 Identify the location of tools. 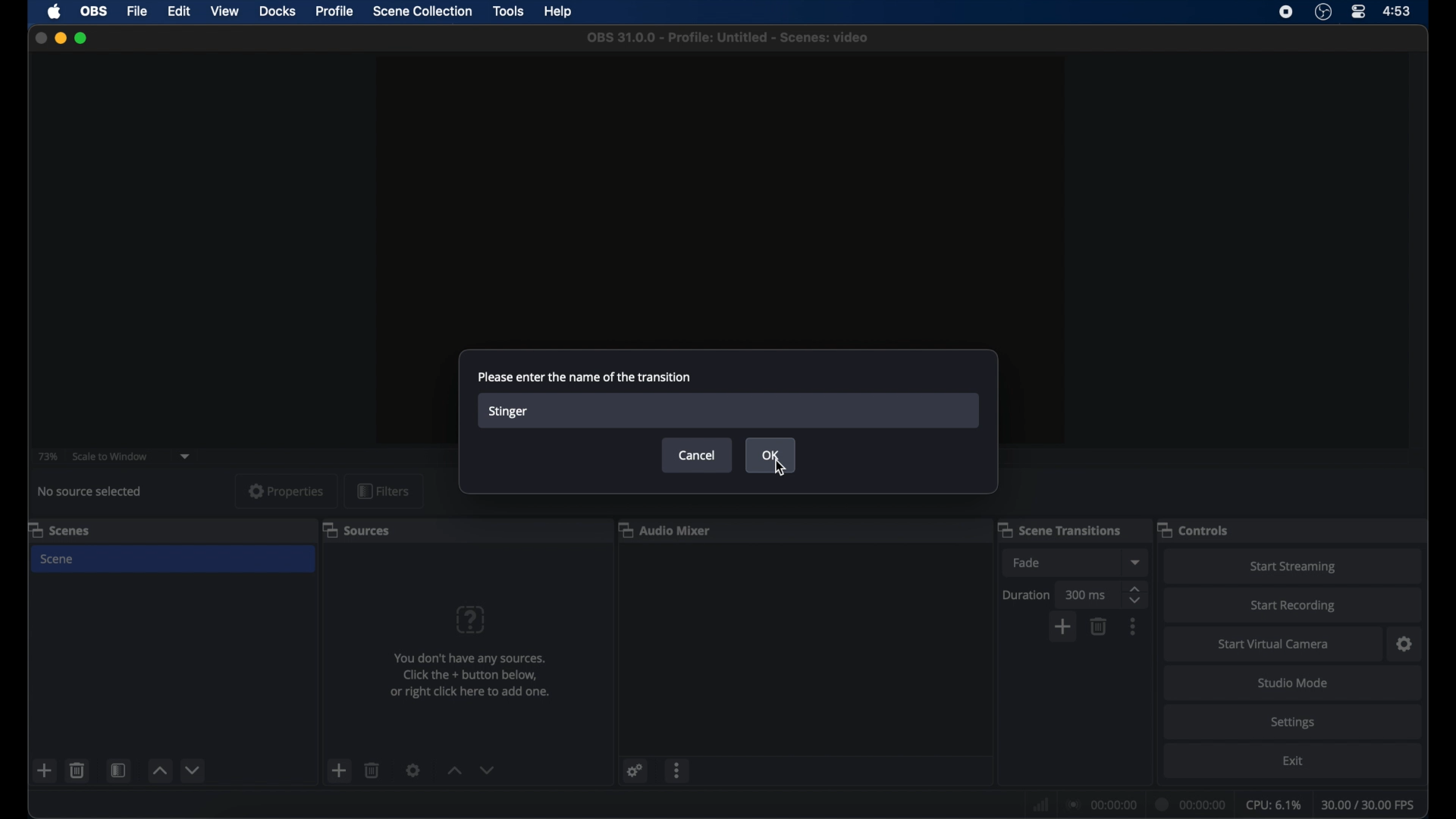
(509, 12).